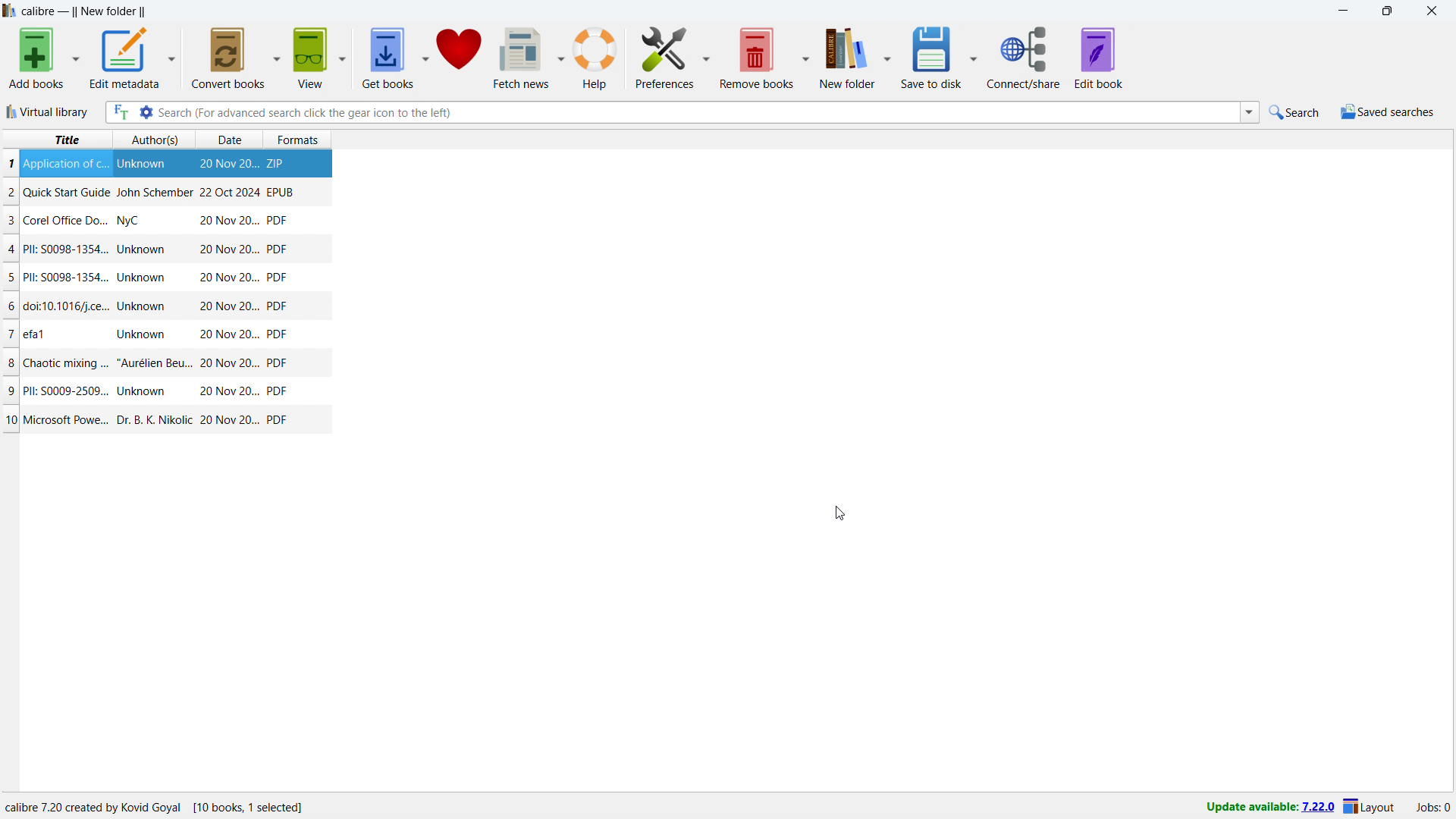 Image resolution: width=1456 pixels, height=819 pixels. Describe the element at coordinates (144, 278) in the screenshot. I see `Author` at that location.